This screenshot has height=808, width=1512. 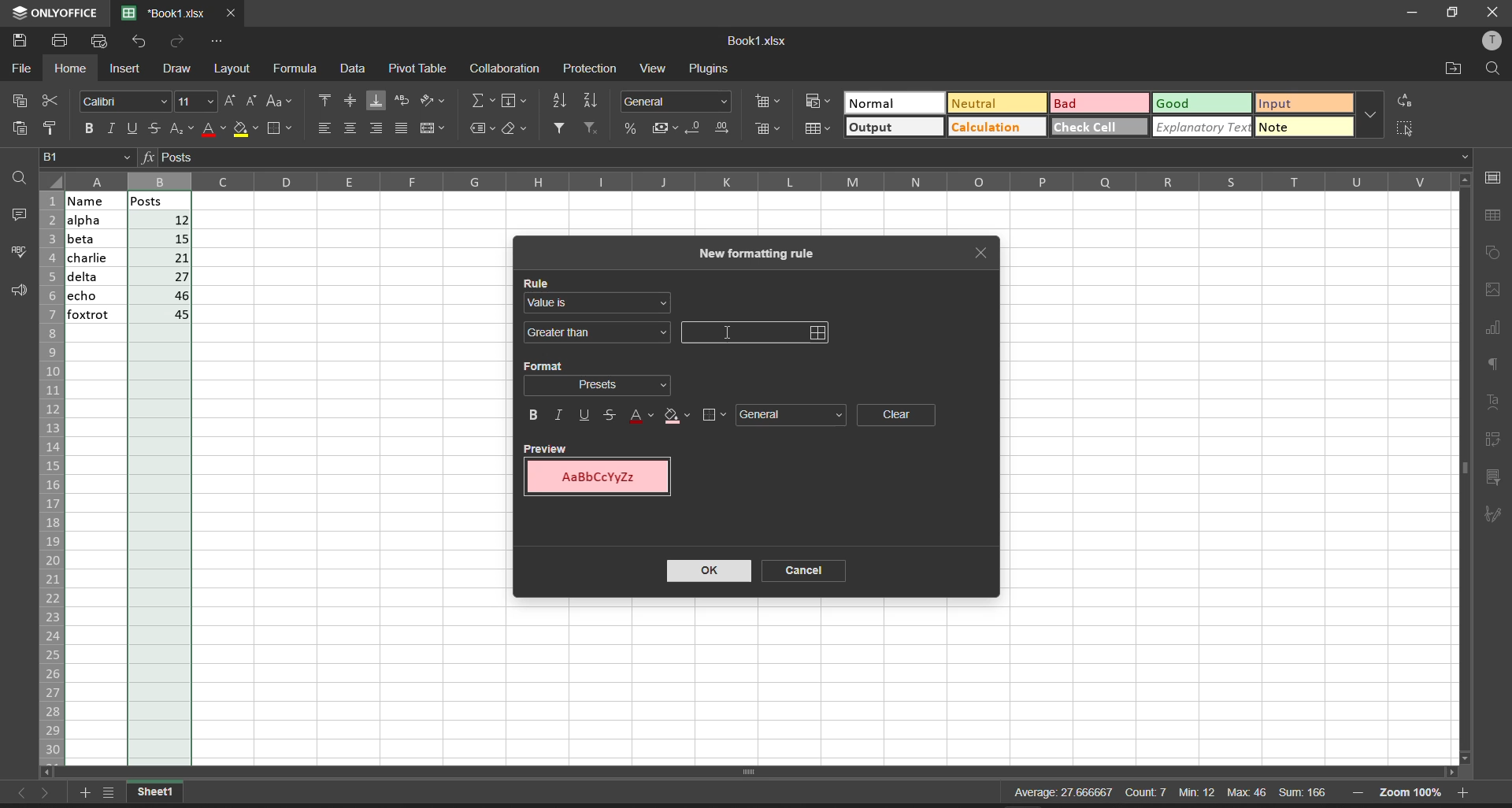 I want to click on name, so click(x=90, y=259).